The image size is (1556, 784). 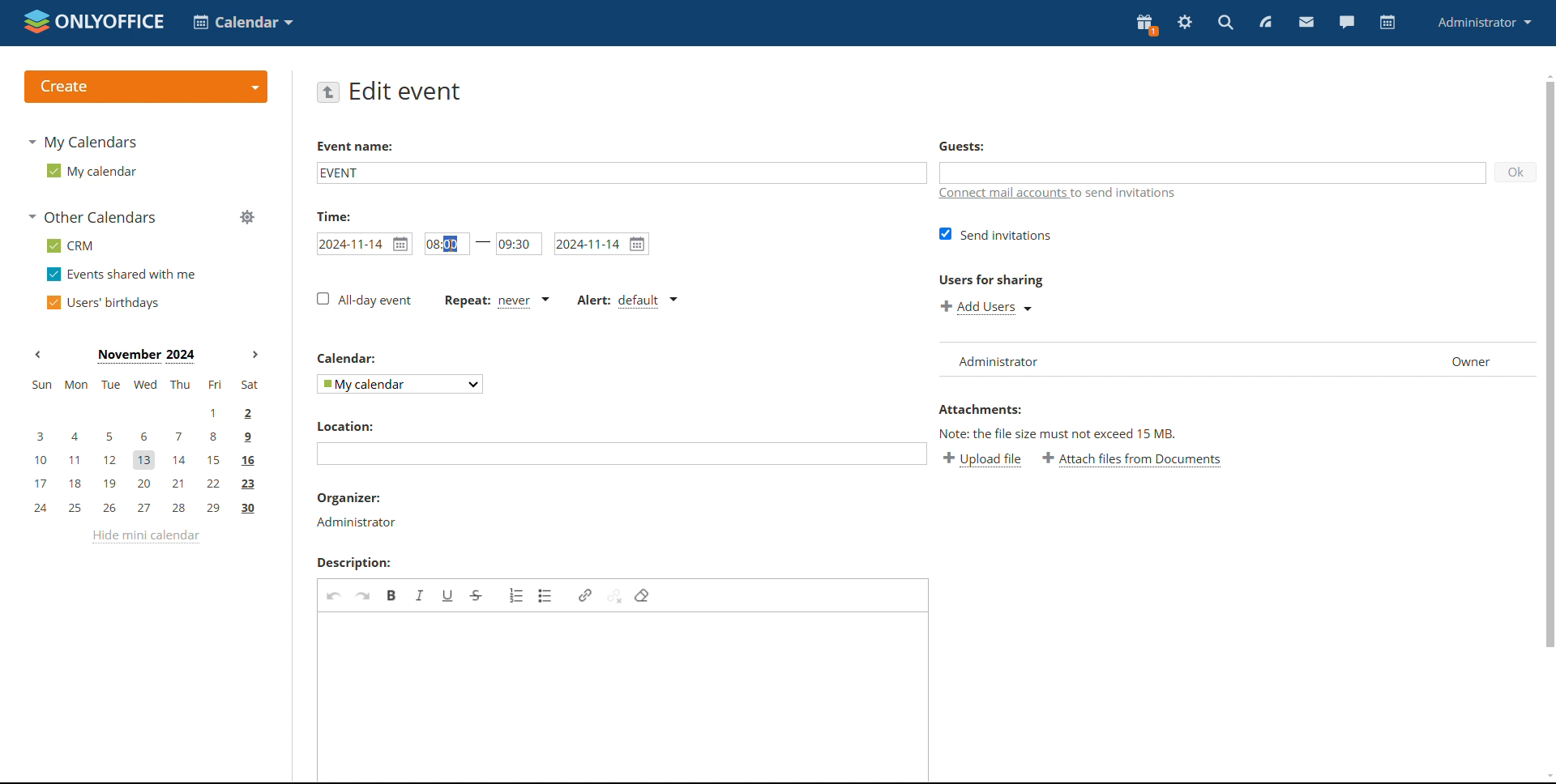 I want to click on redo, so click(x=363, y=594).